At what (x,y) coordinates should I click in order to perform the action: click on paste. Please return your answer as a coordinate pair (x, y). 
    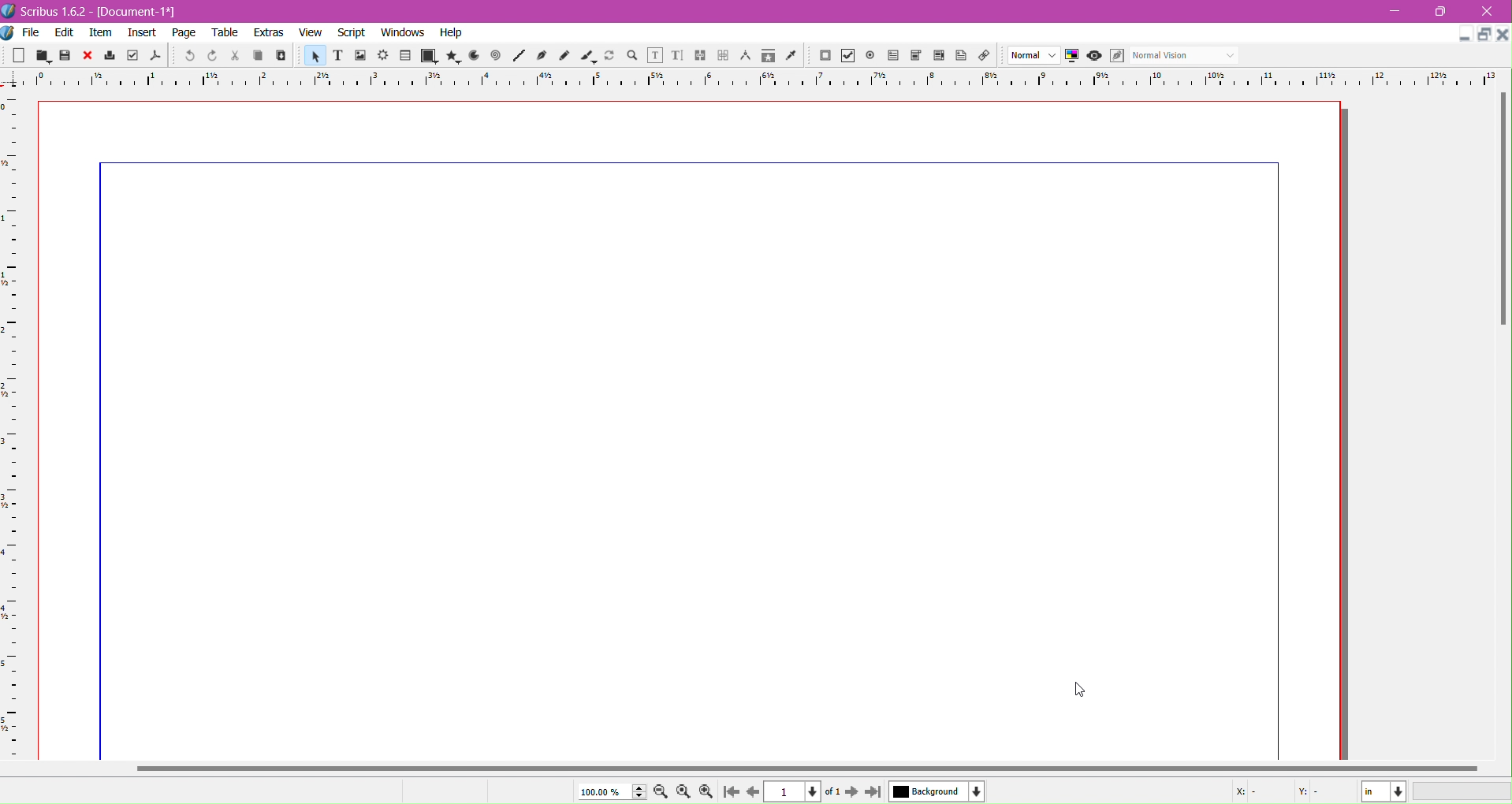
    Looking at the image, I should click on (280, 56).